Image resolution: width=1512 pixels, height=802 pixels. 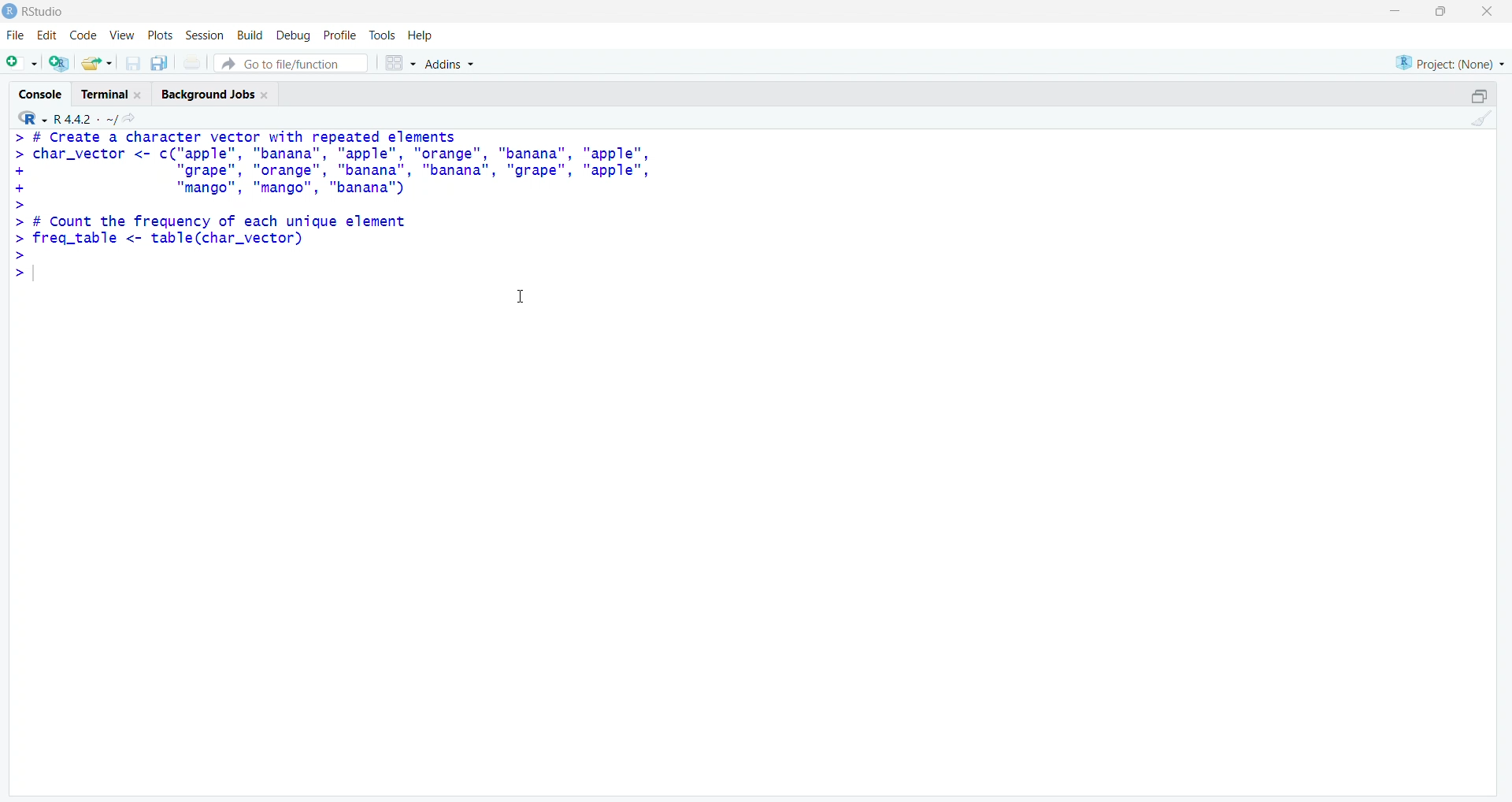 I want to click on Profile, so click(x=340, y=36).